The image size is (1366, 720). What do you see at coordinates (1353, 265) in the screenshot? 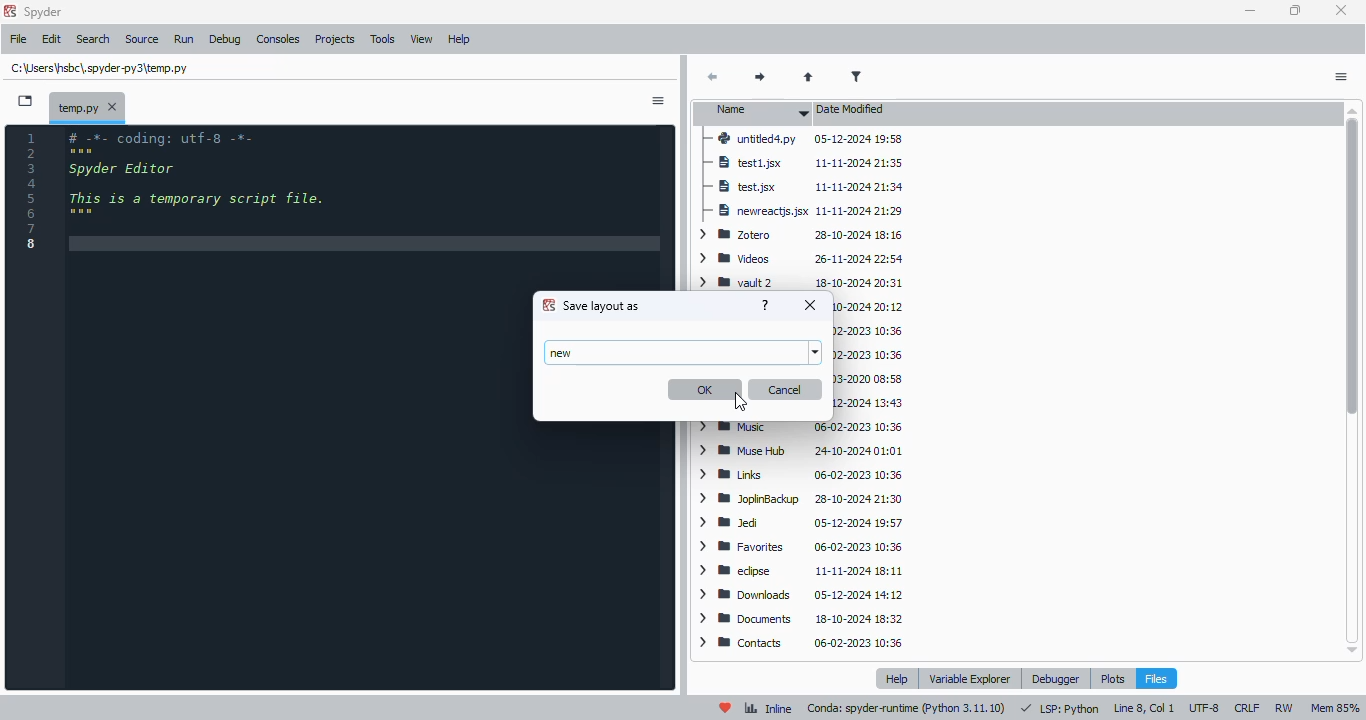
I see `vertical scroll bar` at bounding box center [1353, 265].